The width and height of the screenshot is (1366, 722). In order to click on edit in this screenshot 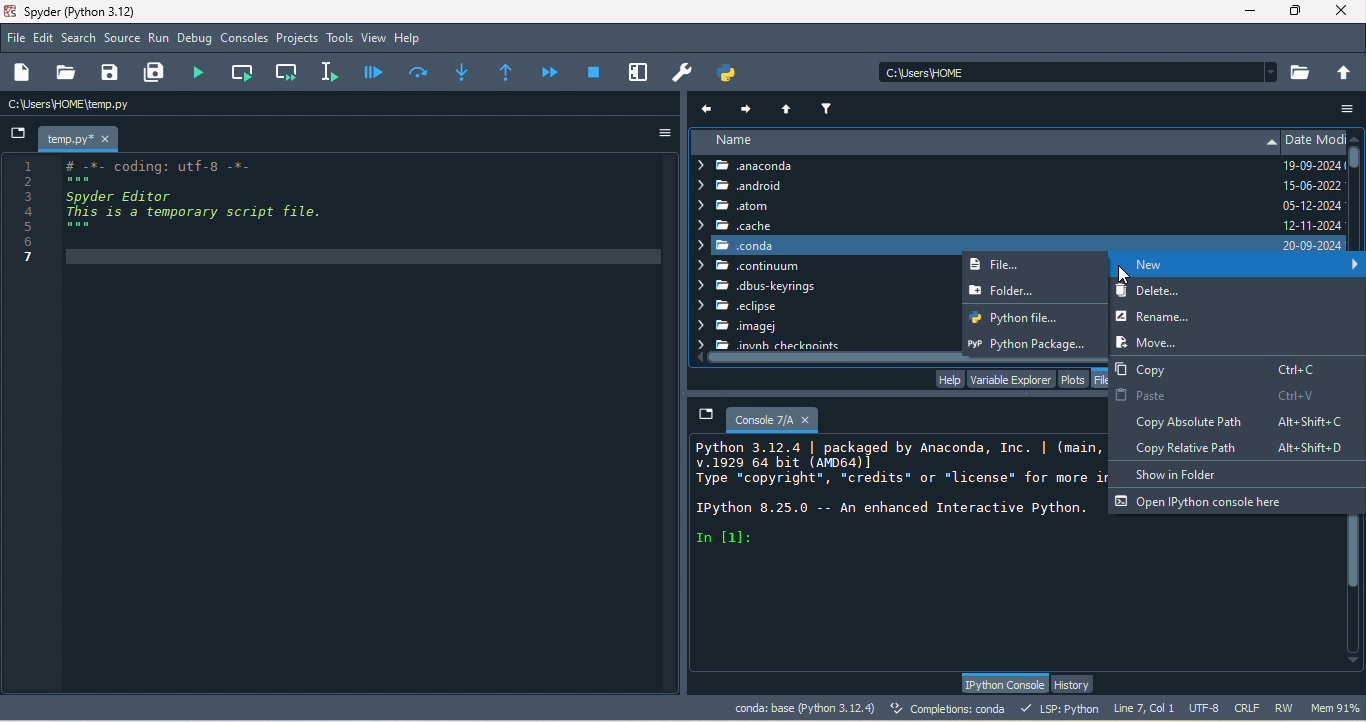, I will do `click(45, 39)`.